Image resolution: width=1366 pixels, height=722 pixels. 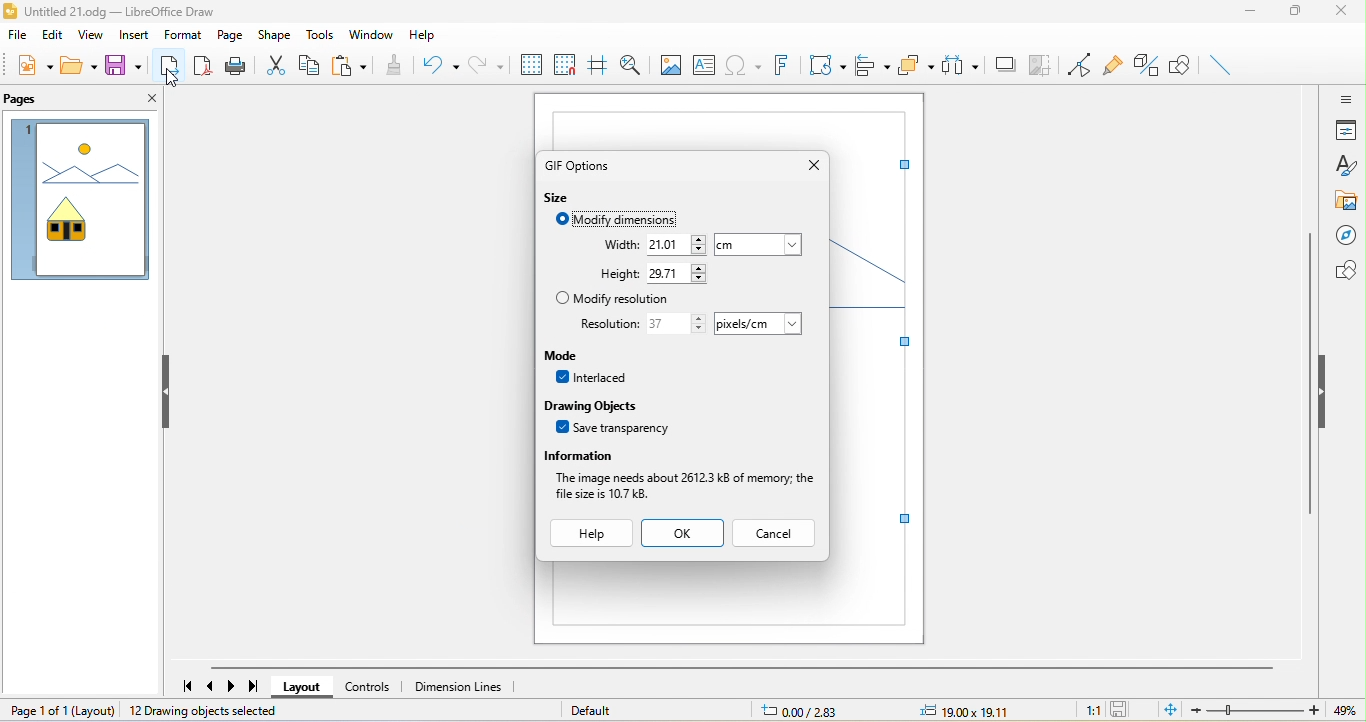 I want to click on help, so click(x=591, y=534).